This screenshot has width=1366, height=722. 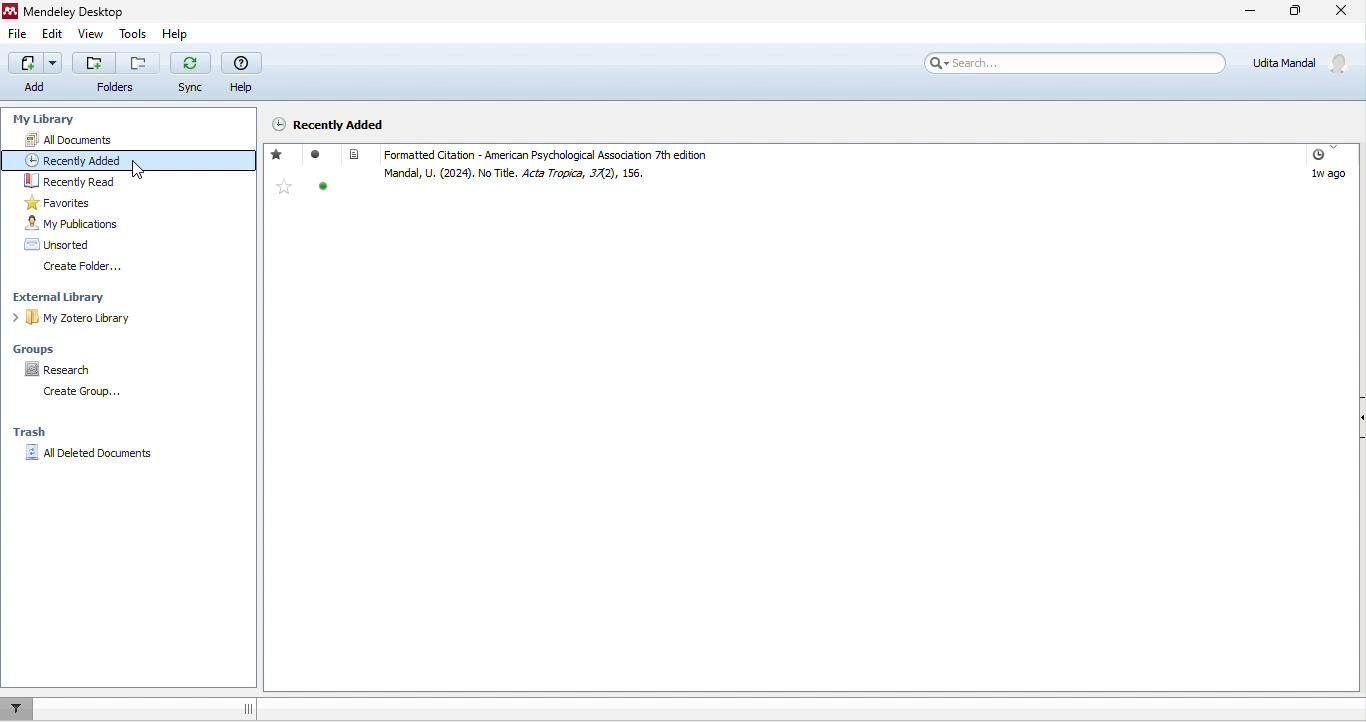 What do you see at coordinates (68, 298) in the screenshot?
I see `external library` at bounding box center [68, 298].